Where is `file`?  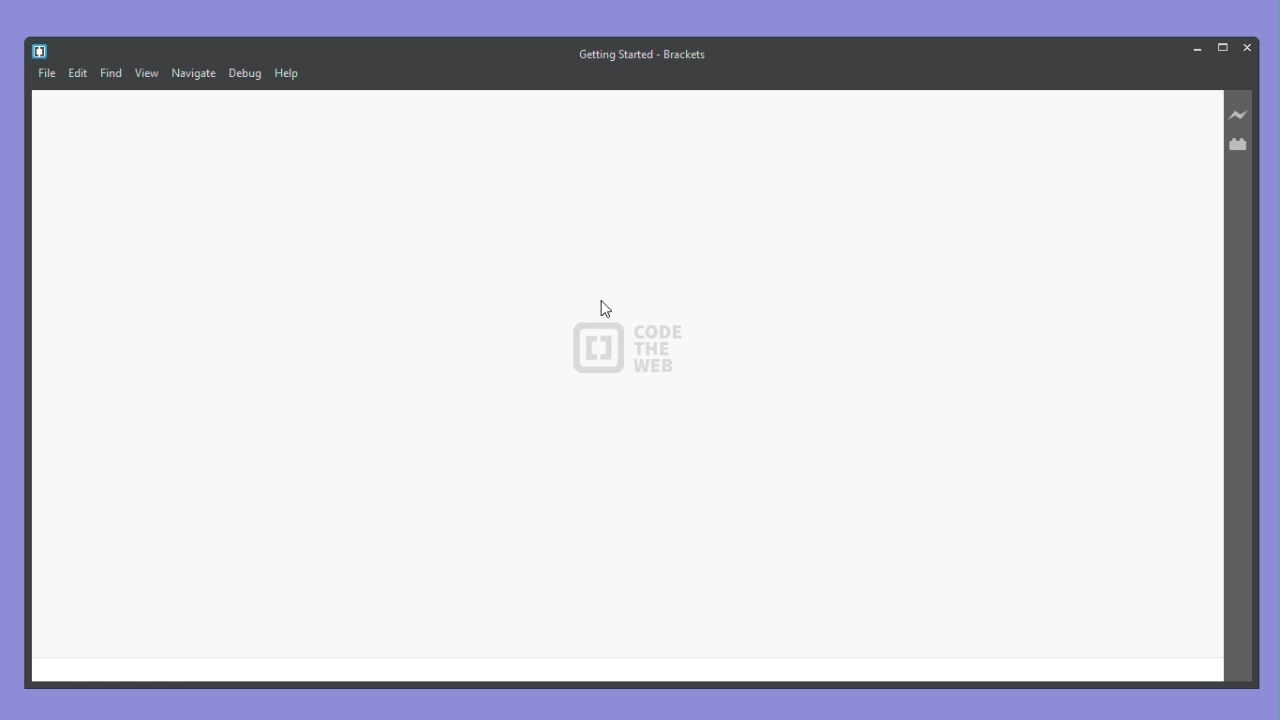 file is located at coordinates (46, 74).